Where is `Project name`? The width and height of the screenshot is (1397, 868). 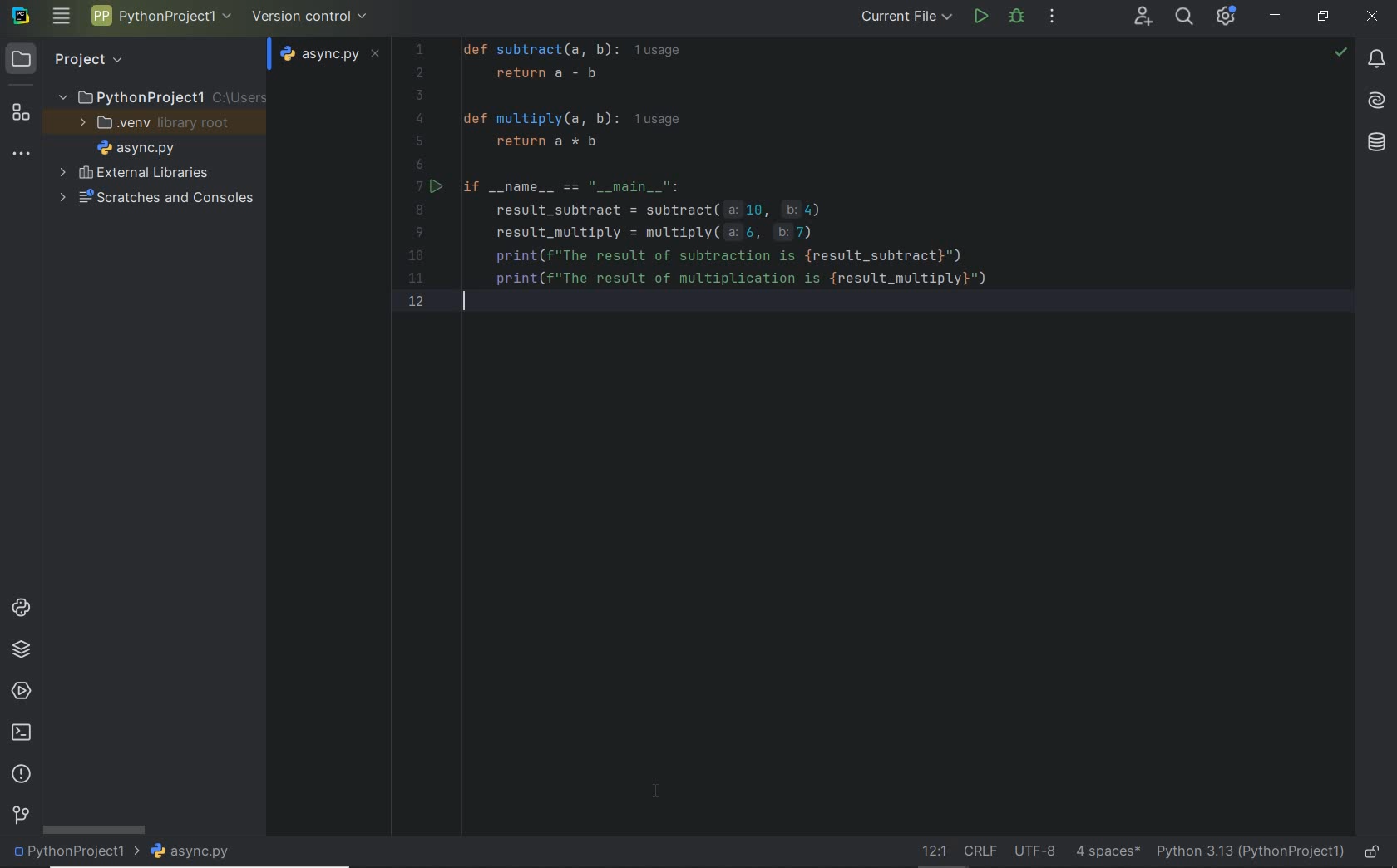
Project name is located at coordinates (159, 18).